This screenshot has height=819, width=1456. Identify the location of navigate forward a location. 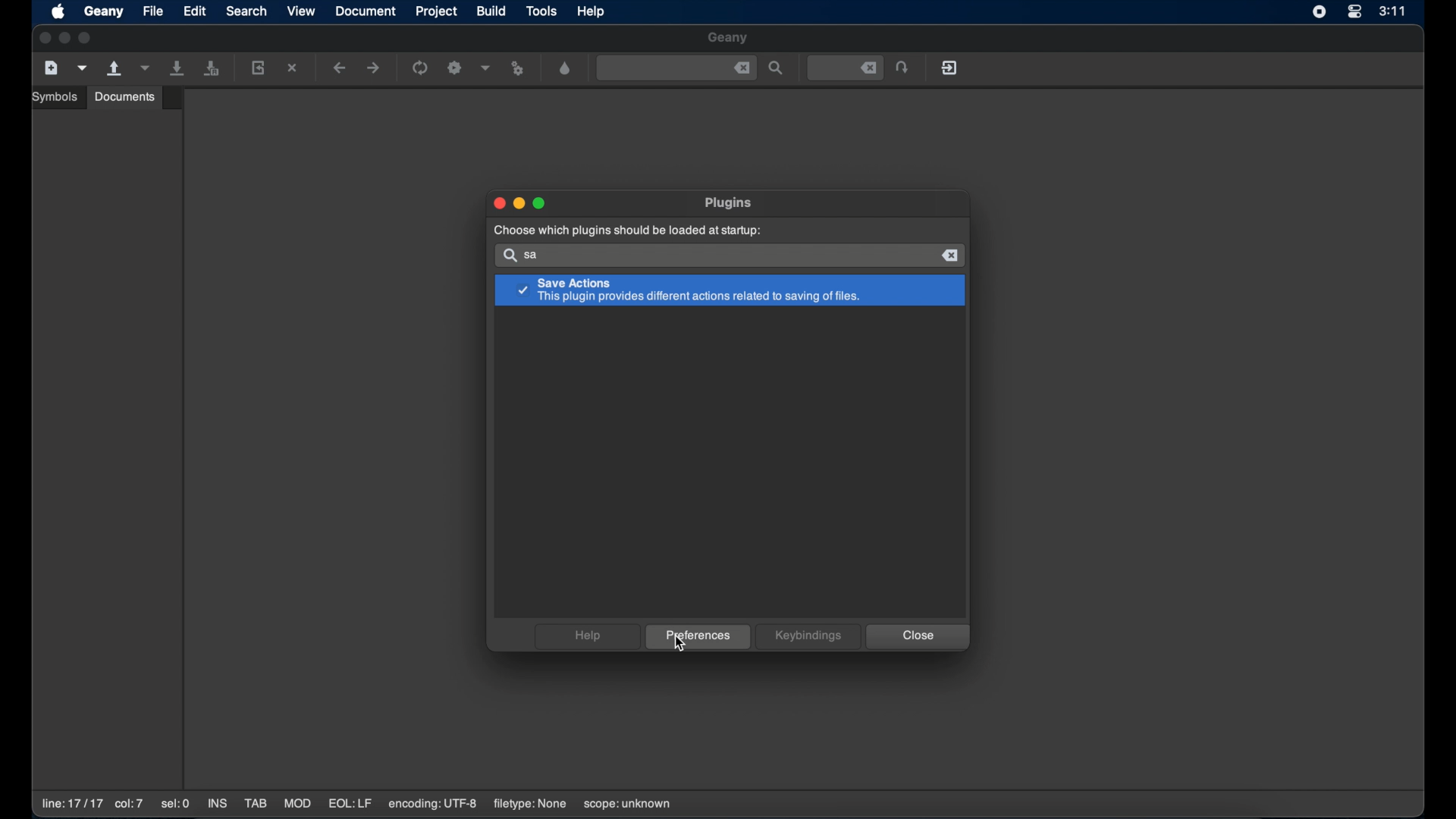
(374, 68).